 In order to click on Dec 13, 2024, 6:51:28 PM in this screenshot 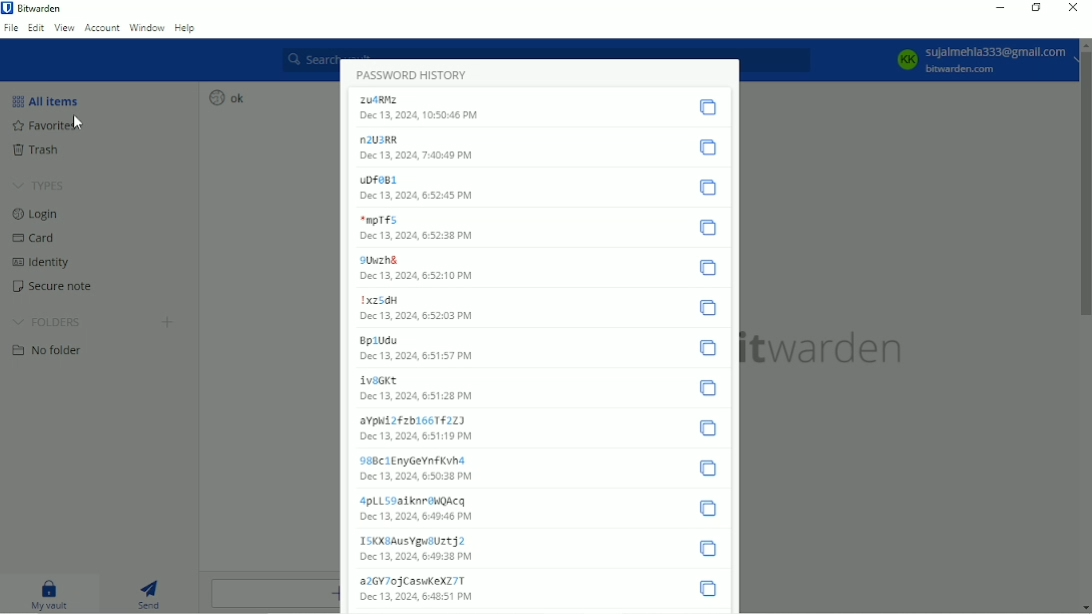, I will do `click(418, 396)`.